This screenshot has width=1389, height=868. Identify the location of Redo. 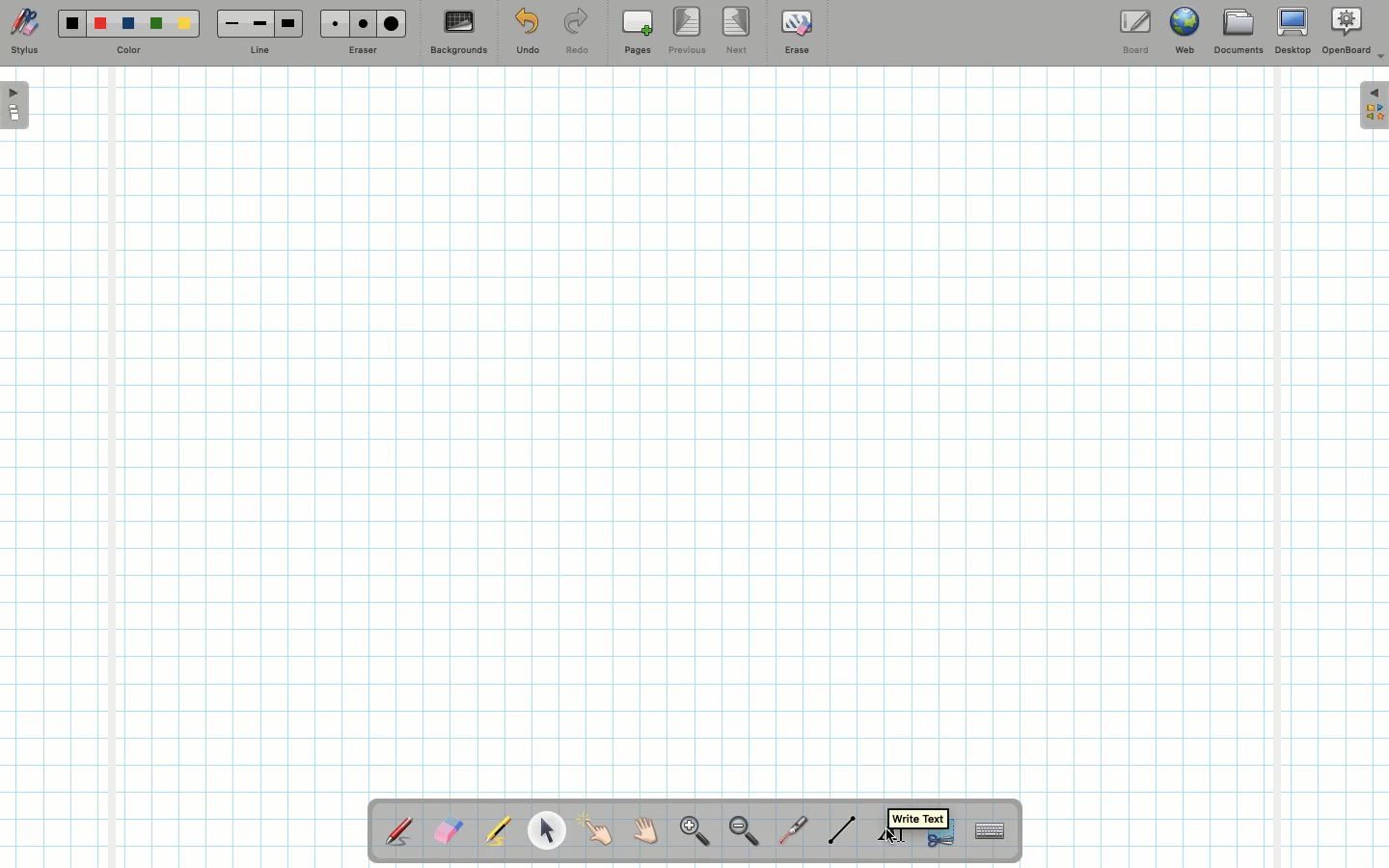
(577, 35).